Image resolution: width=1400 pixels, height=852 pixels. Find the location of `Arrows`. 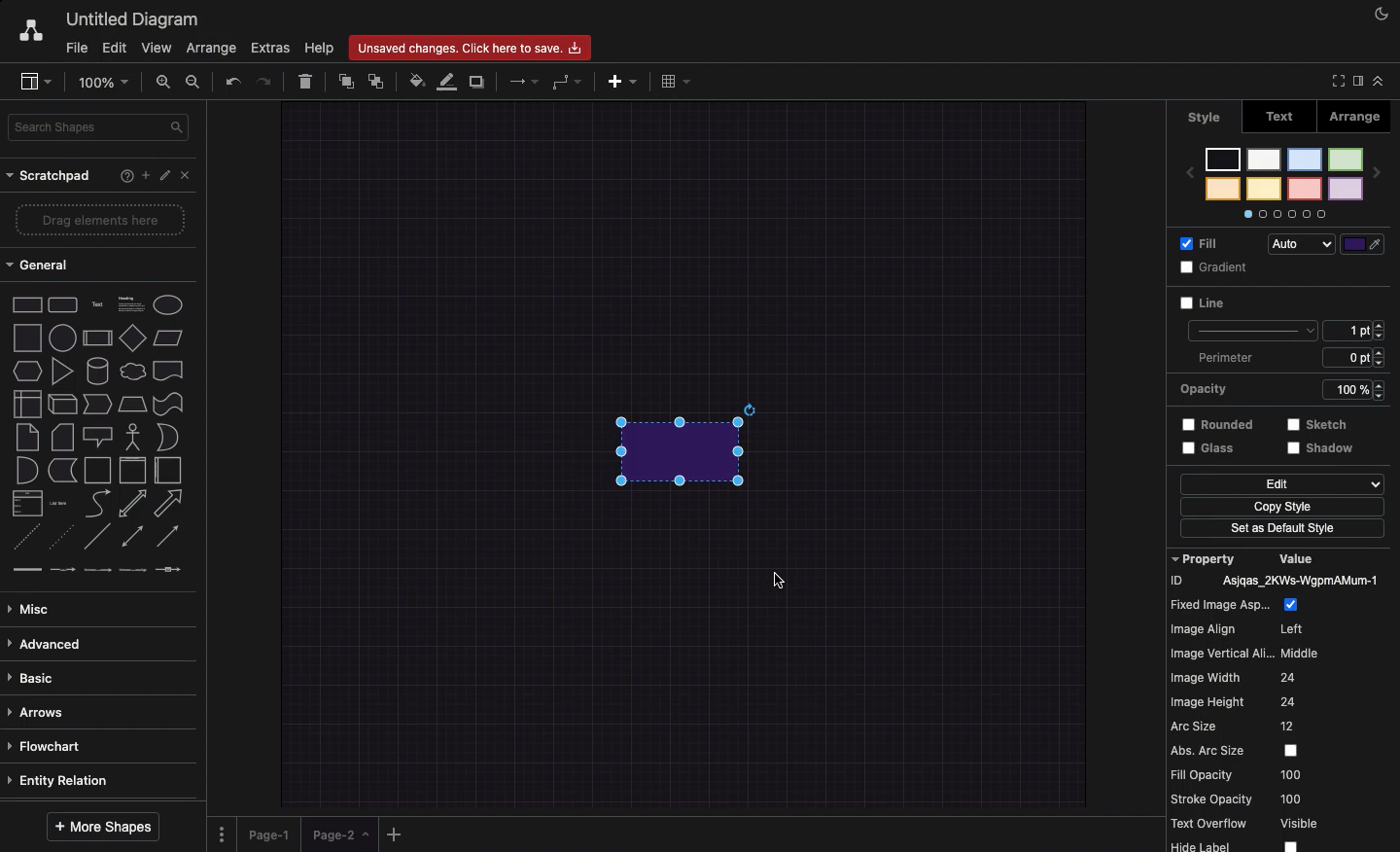

Arrows is located at coordinates (518, 80).